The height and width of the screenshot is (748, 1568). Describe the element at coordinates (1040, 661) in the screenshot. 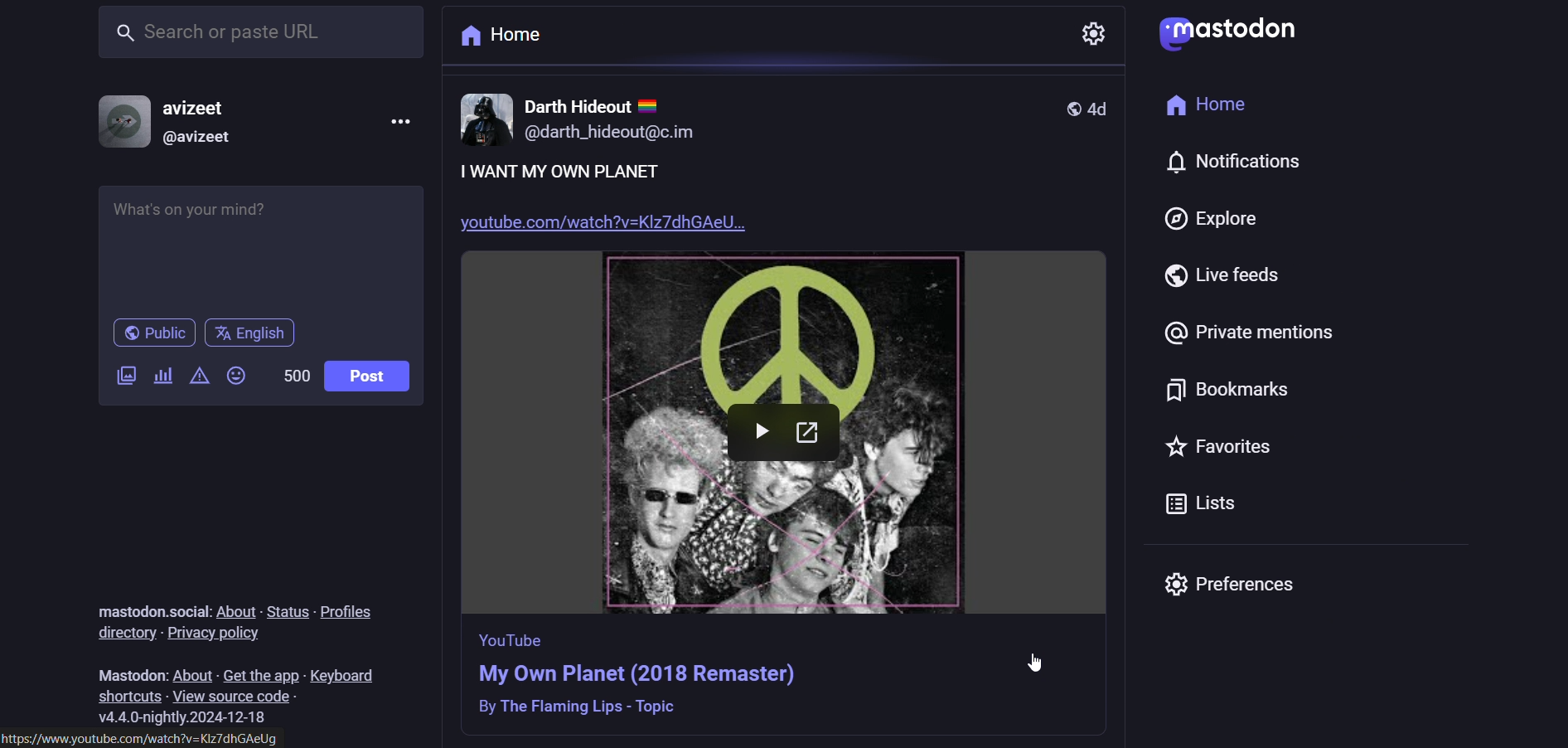

I see `cursor` at that location.